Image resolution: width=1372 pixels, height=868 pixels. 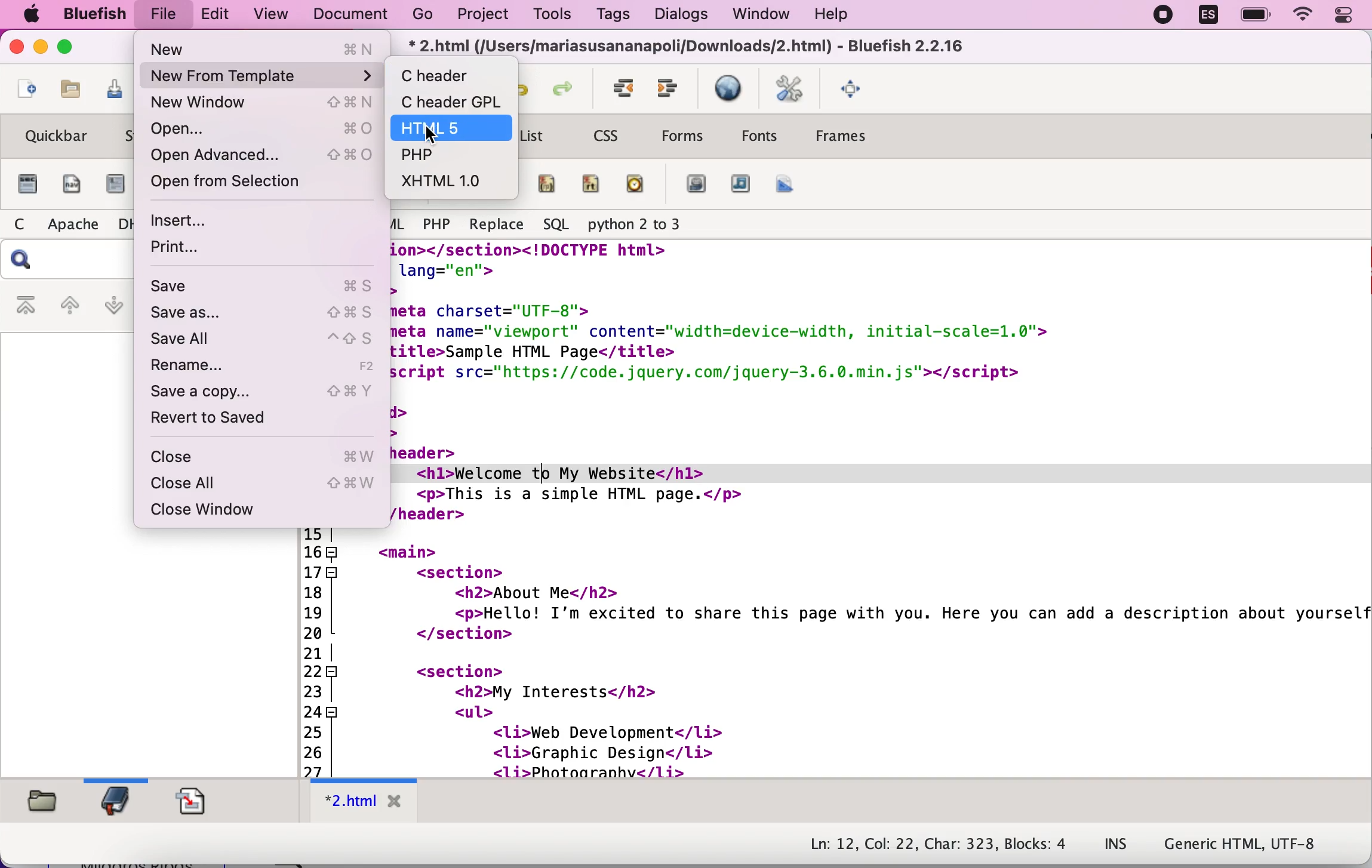 I want to click on php, so click(x=438, y=155).